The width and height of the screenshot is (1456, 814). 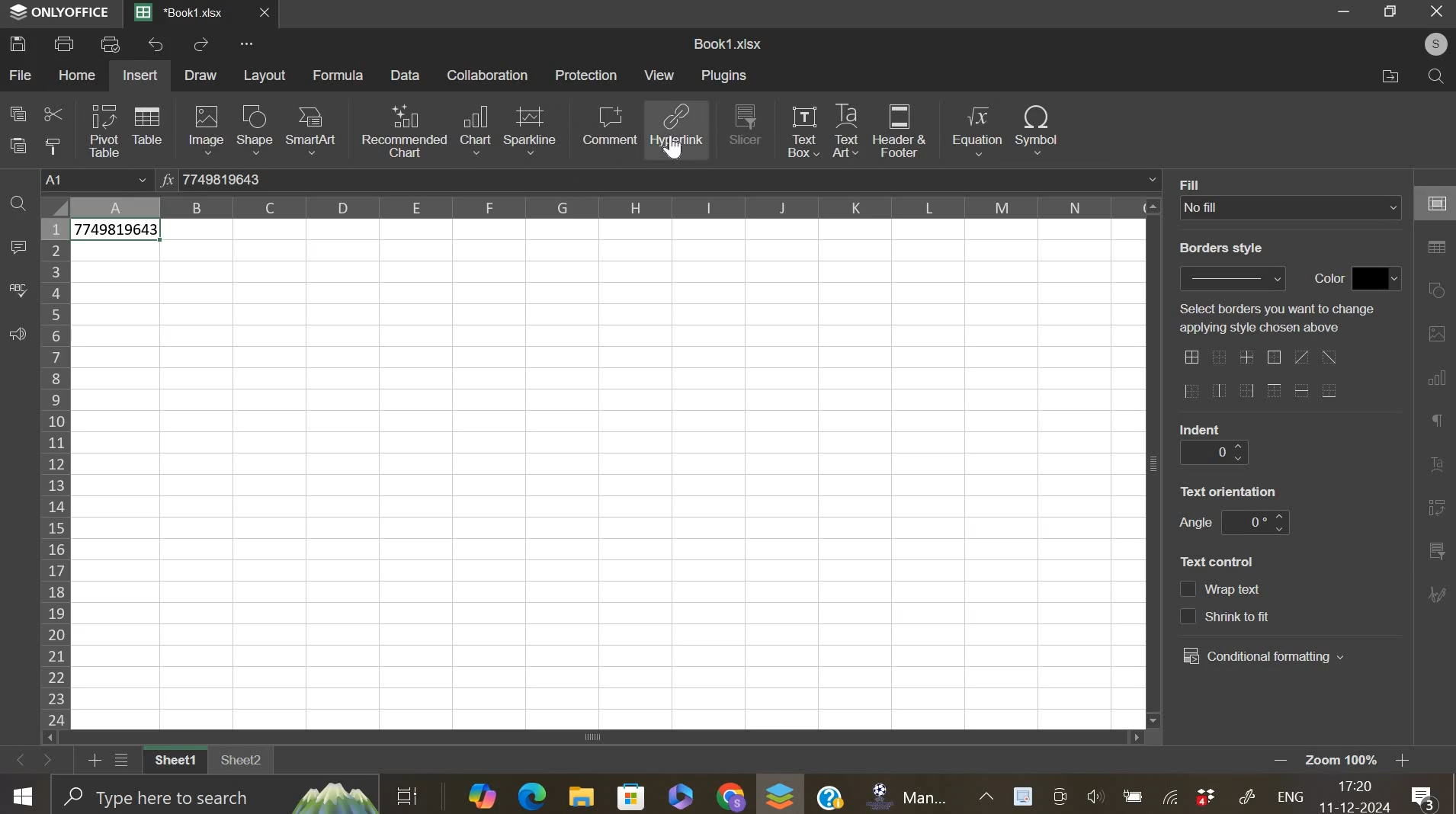 What do you see at coordinates (104, 131) in the screenshot?
I see `pivot table` at bounding box center [104, 131].